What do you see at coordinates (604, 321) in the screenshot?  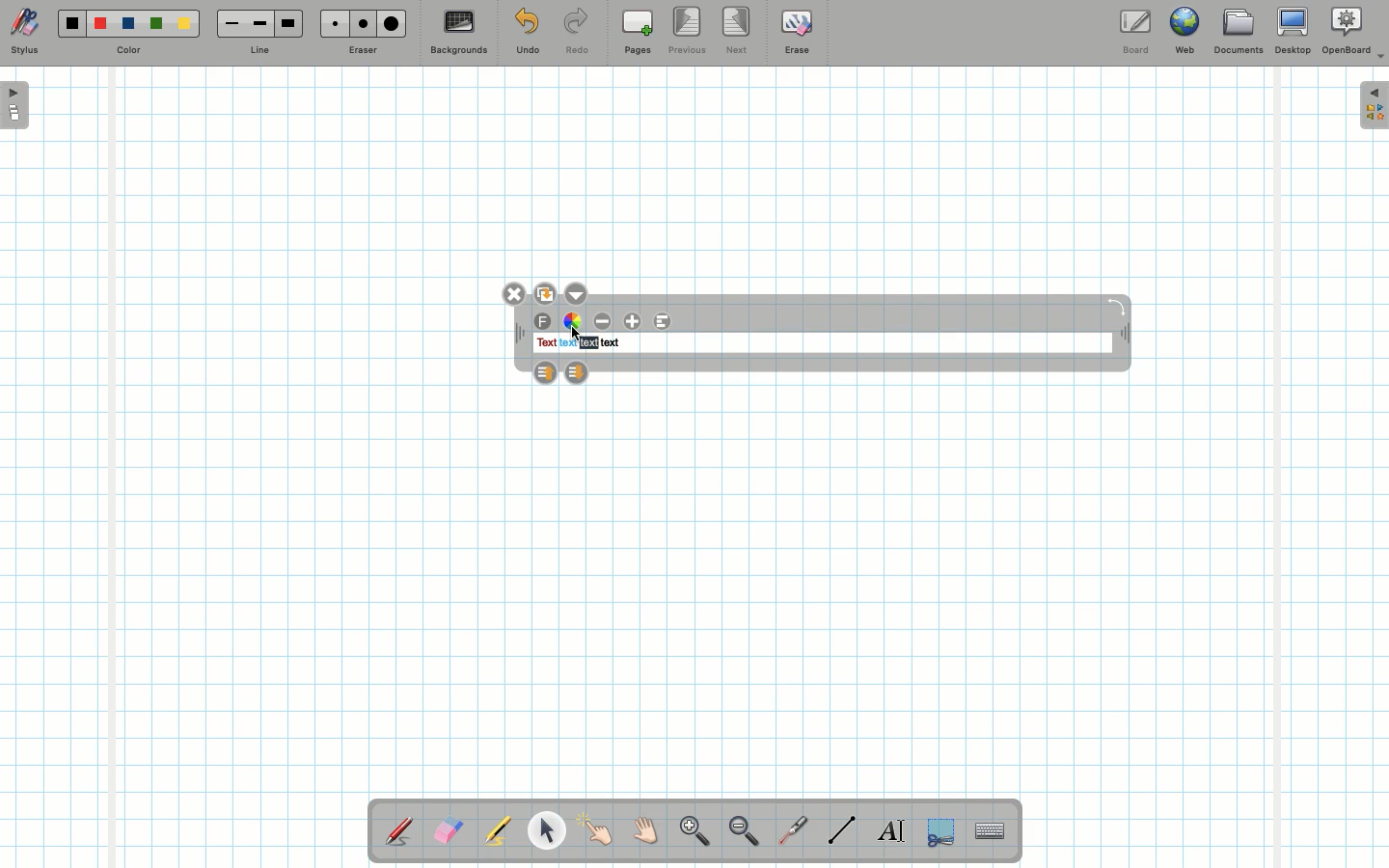 I see `Decrease font size` at bounding box center [604, 321].